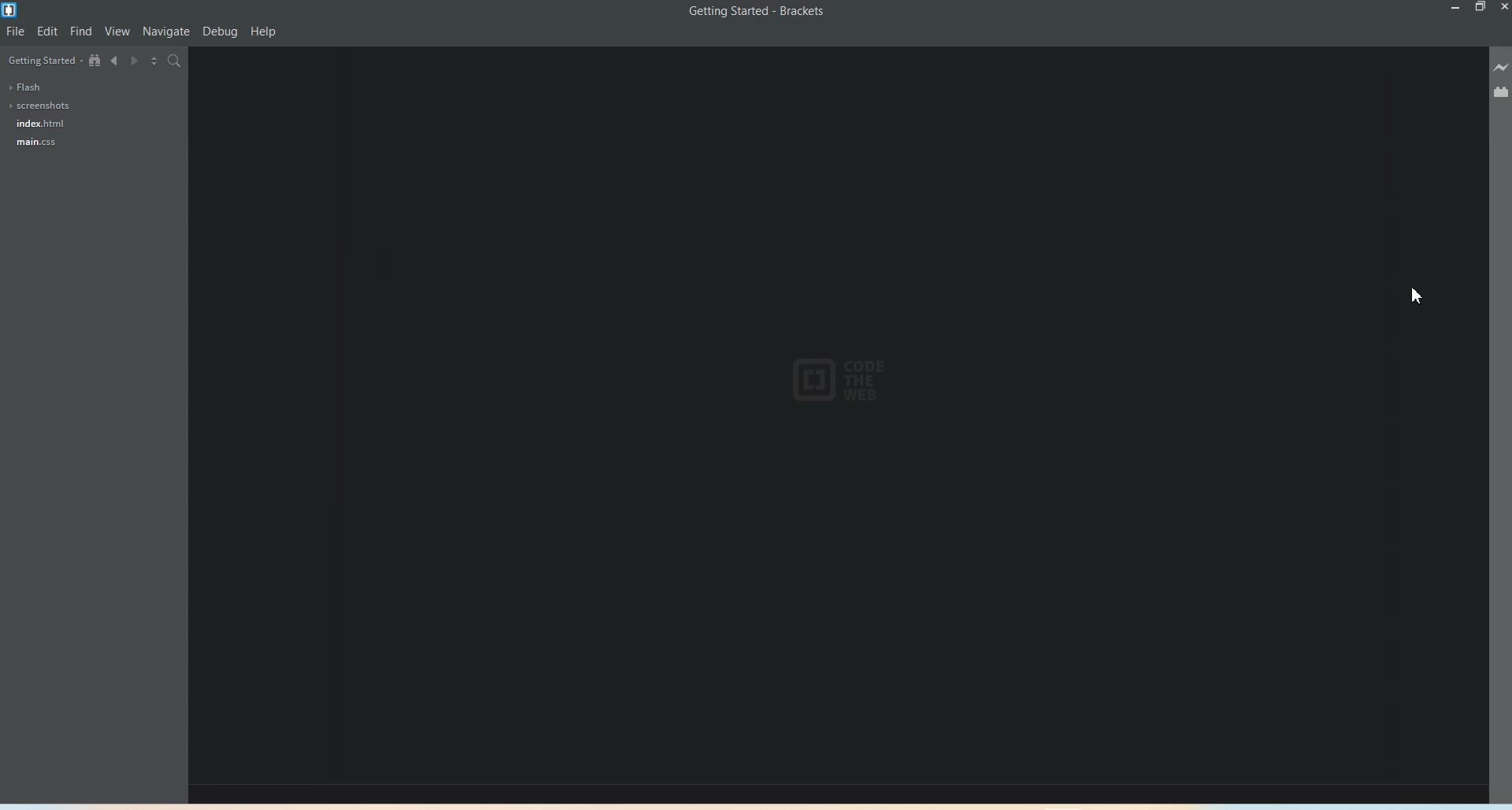  I want to click on Getting Started, so click(45, 61).